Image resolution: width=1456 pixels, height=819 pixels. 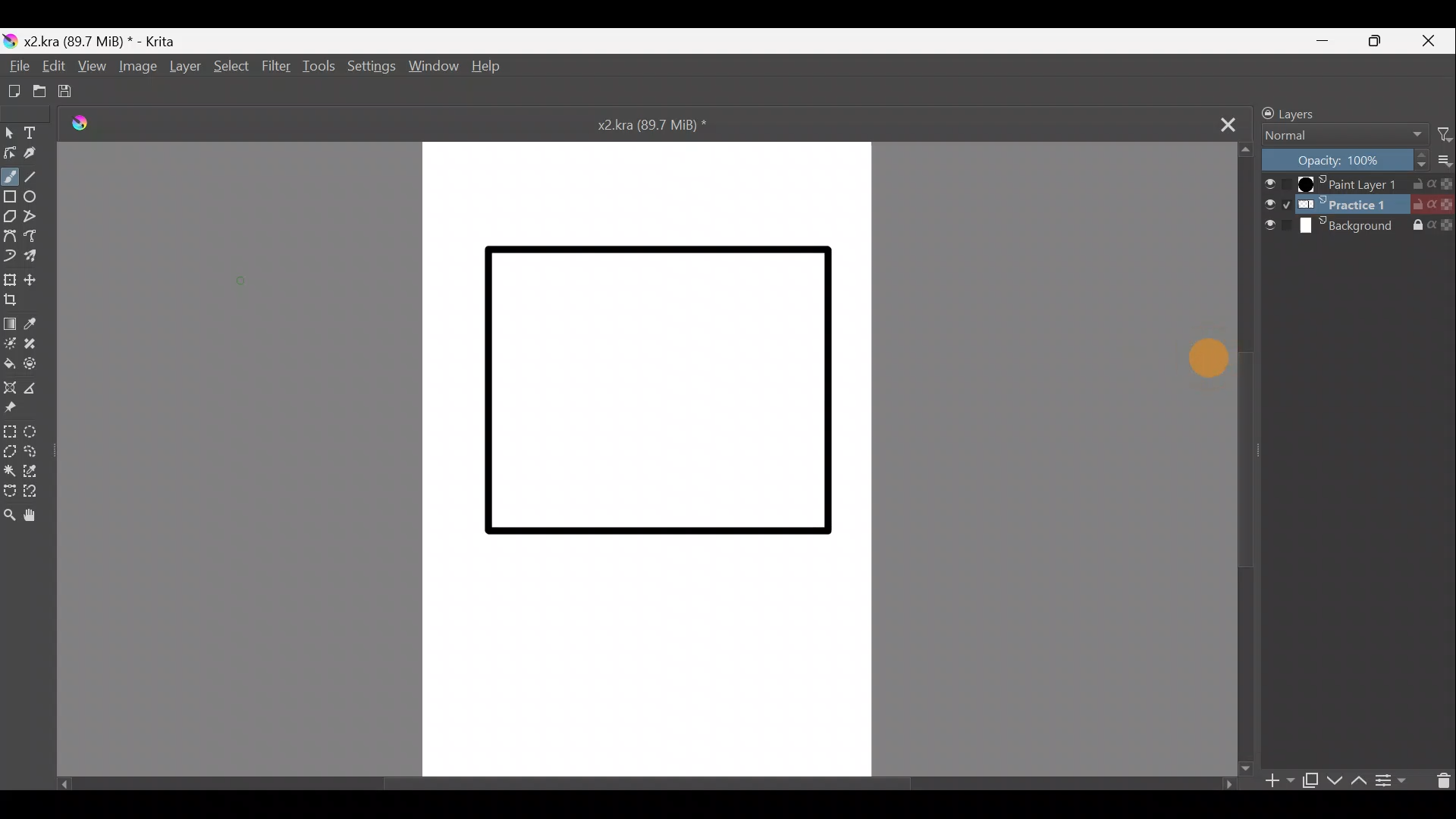 What do you see at coordinates (1203, 357) in the screenshot?
I see `Cursor` at bounding box center [1203, 357].